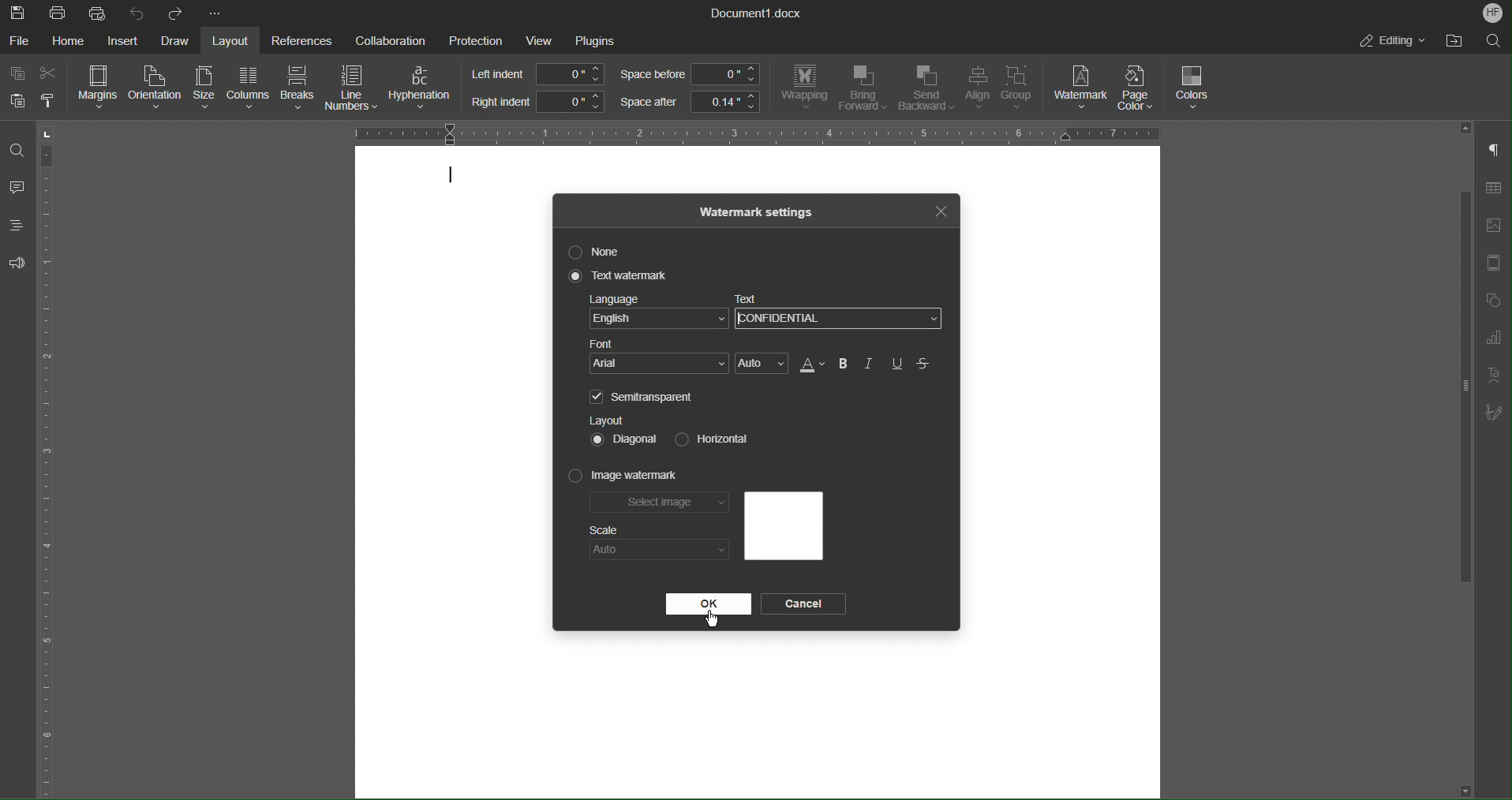  I want to click on Space after, so click(689, 102).